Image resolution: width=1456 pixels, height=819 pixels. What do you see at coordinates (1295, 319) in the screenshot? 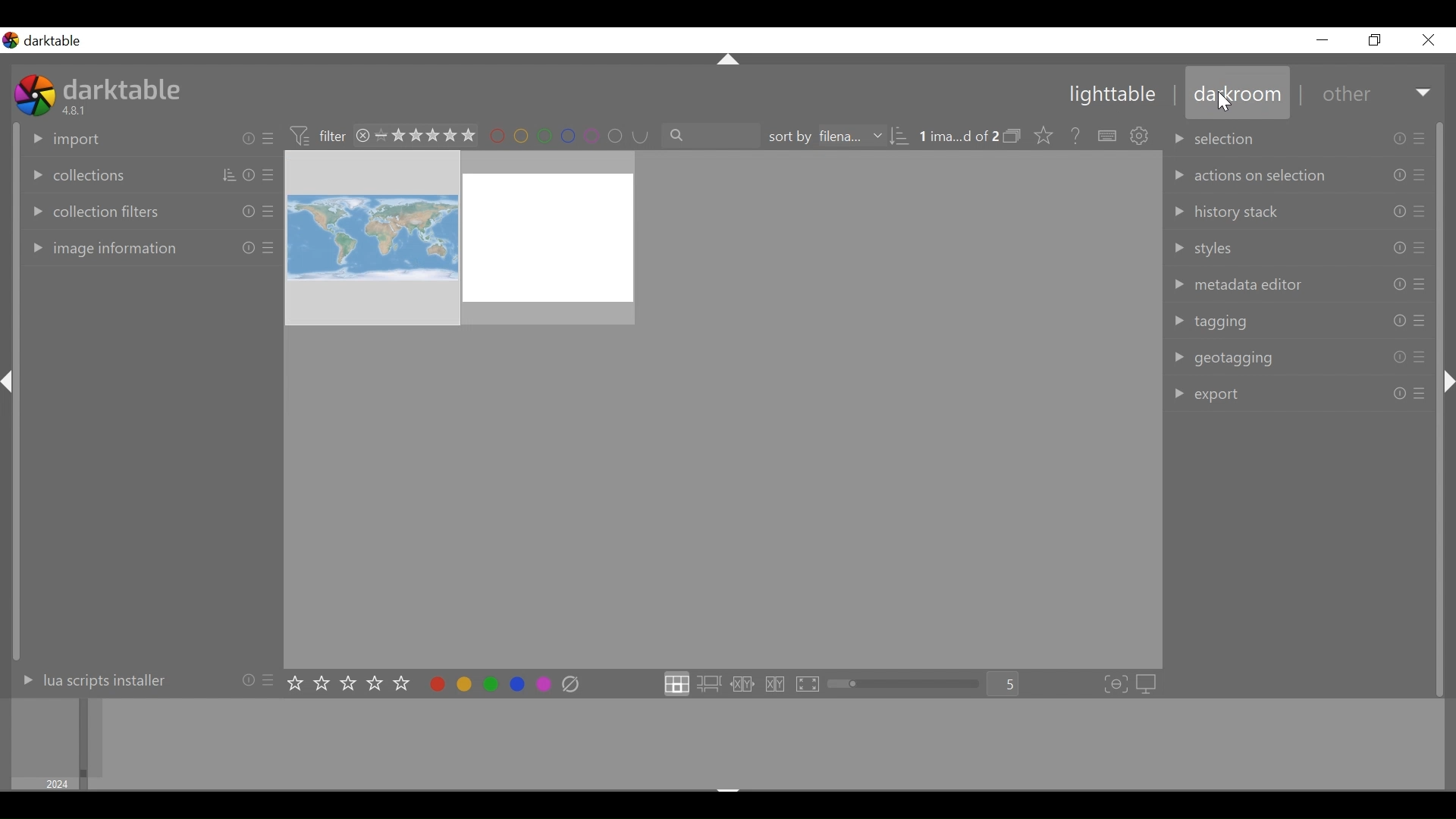
I see `tagging` at bounding box center [1295, 319].